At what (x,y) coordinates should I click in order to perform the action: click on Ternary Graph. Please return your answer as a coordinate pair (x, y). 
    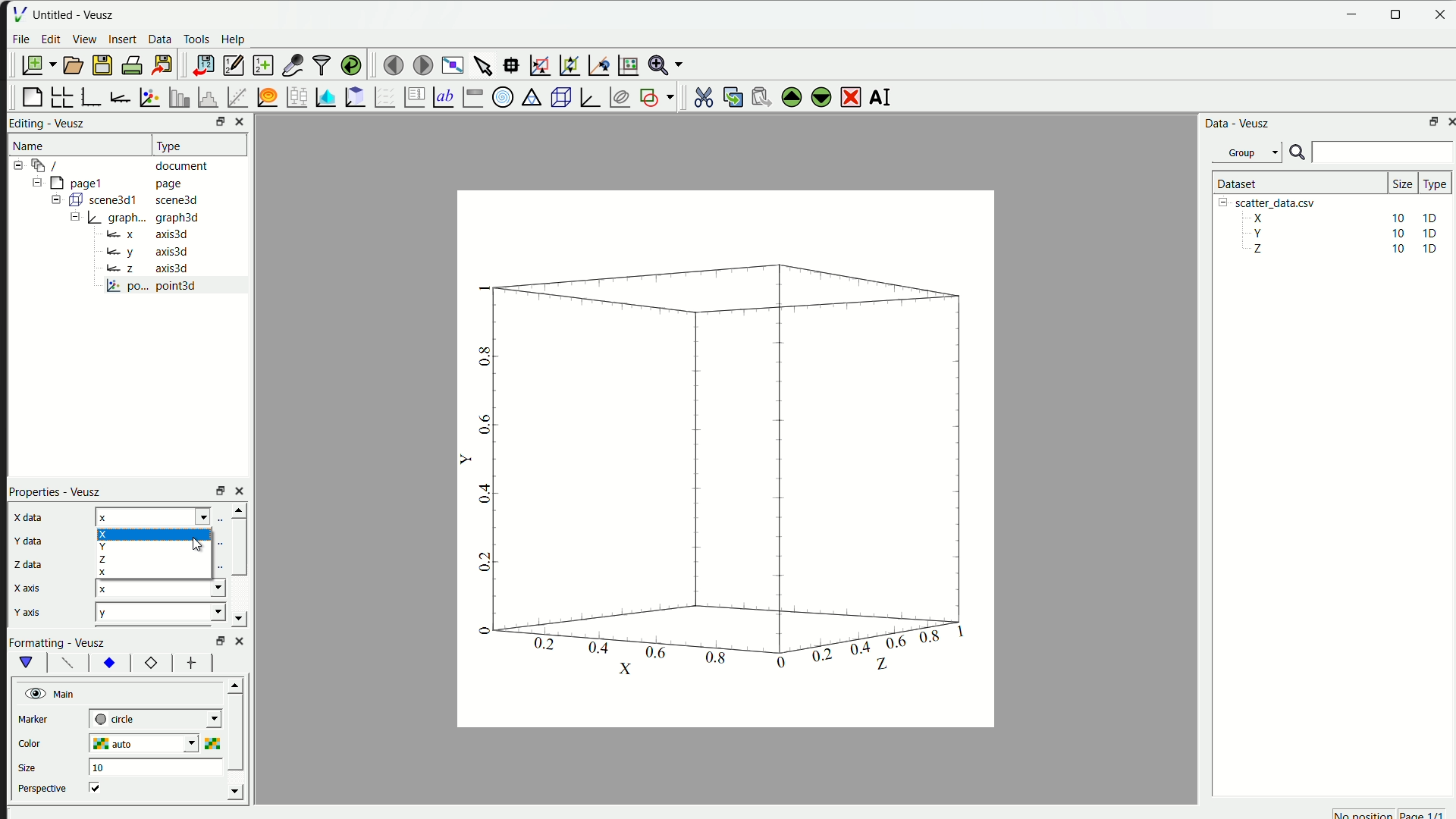
    Looking at the image, I should click on (529, 97).